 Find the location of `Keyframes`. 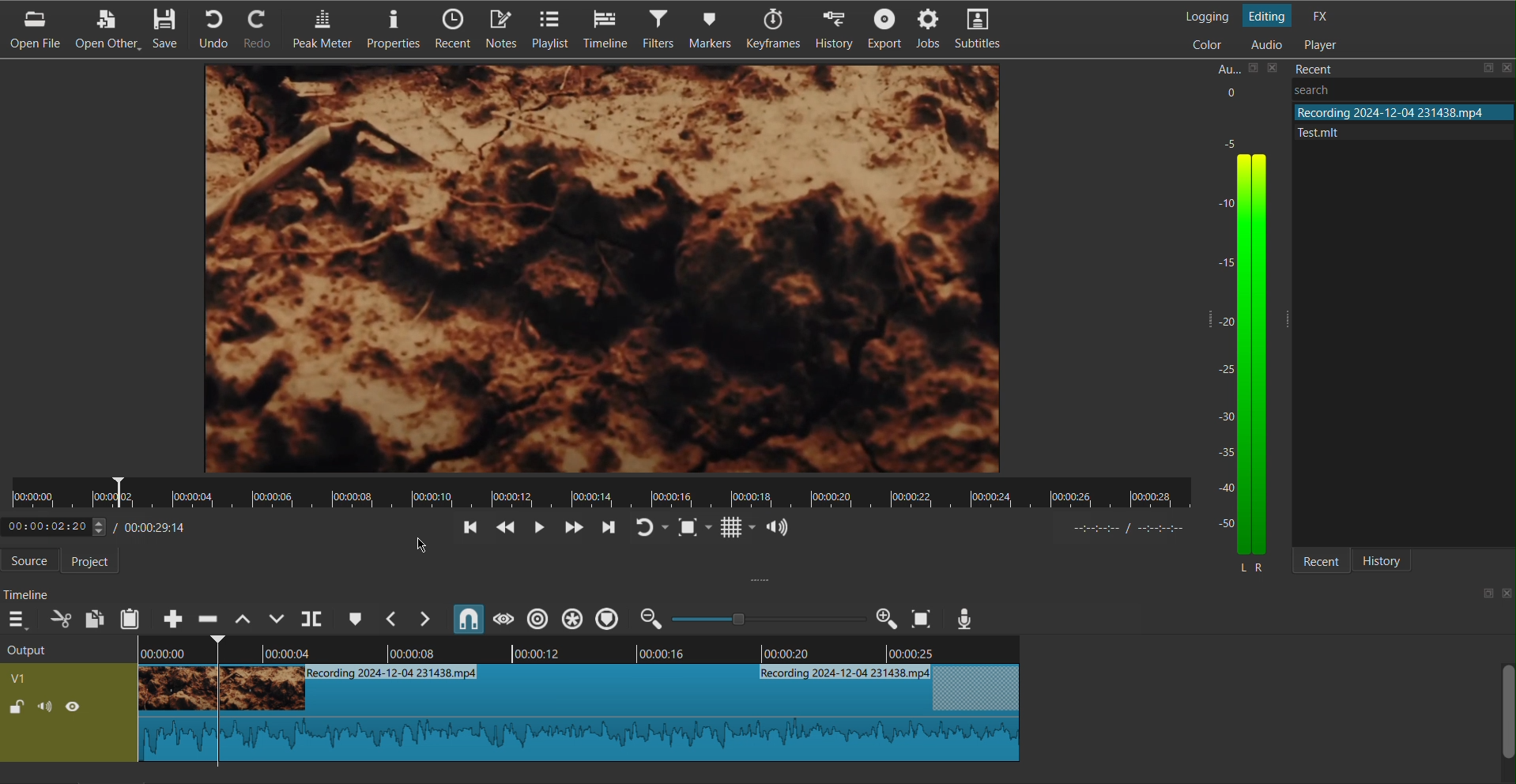

Keyframes is located at coordinates (771, 32).